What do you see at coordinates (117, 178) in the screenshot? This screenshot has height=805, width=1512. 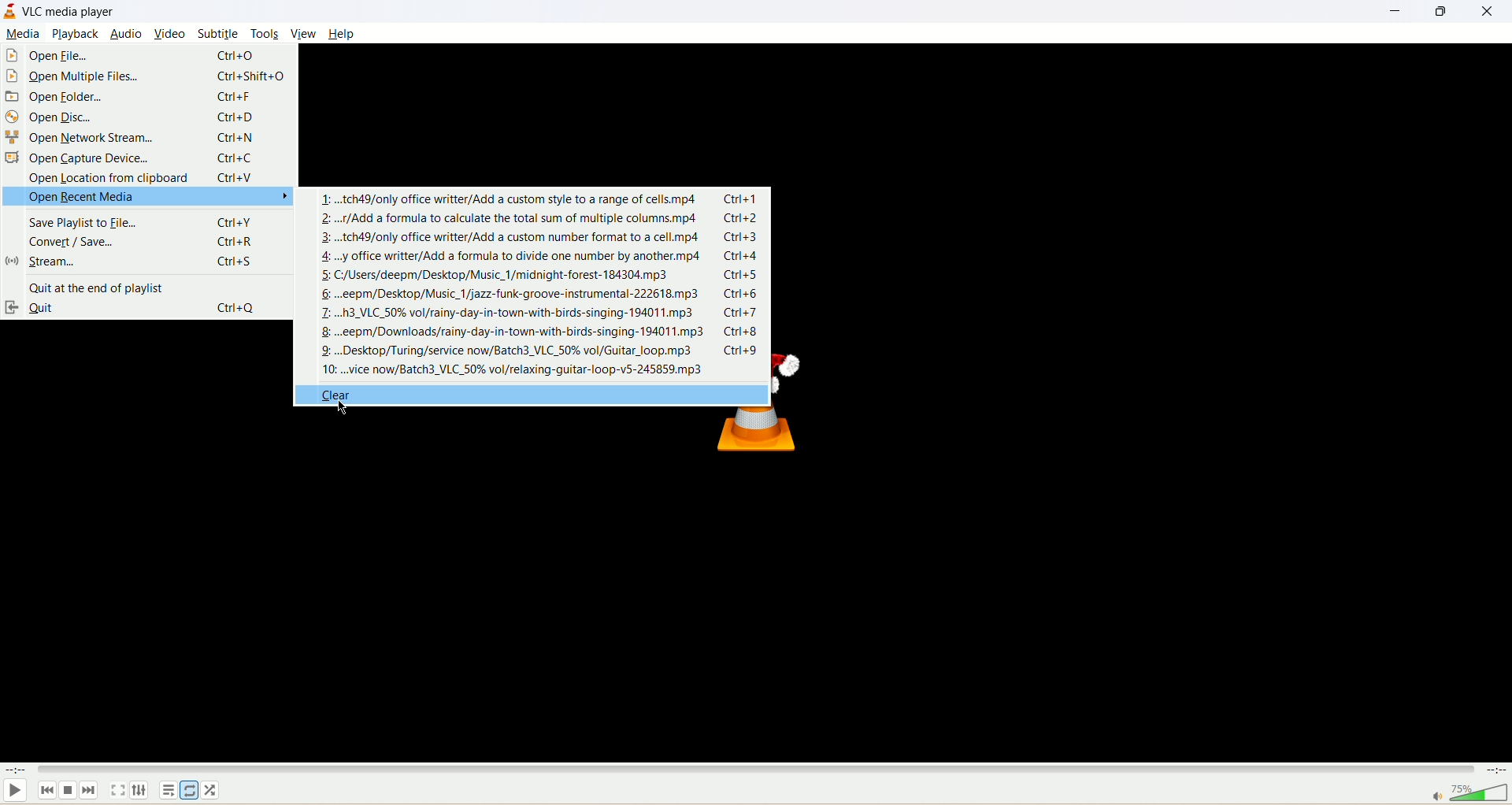 I see `open location from clipboard` at bounding box center [117, 178].